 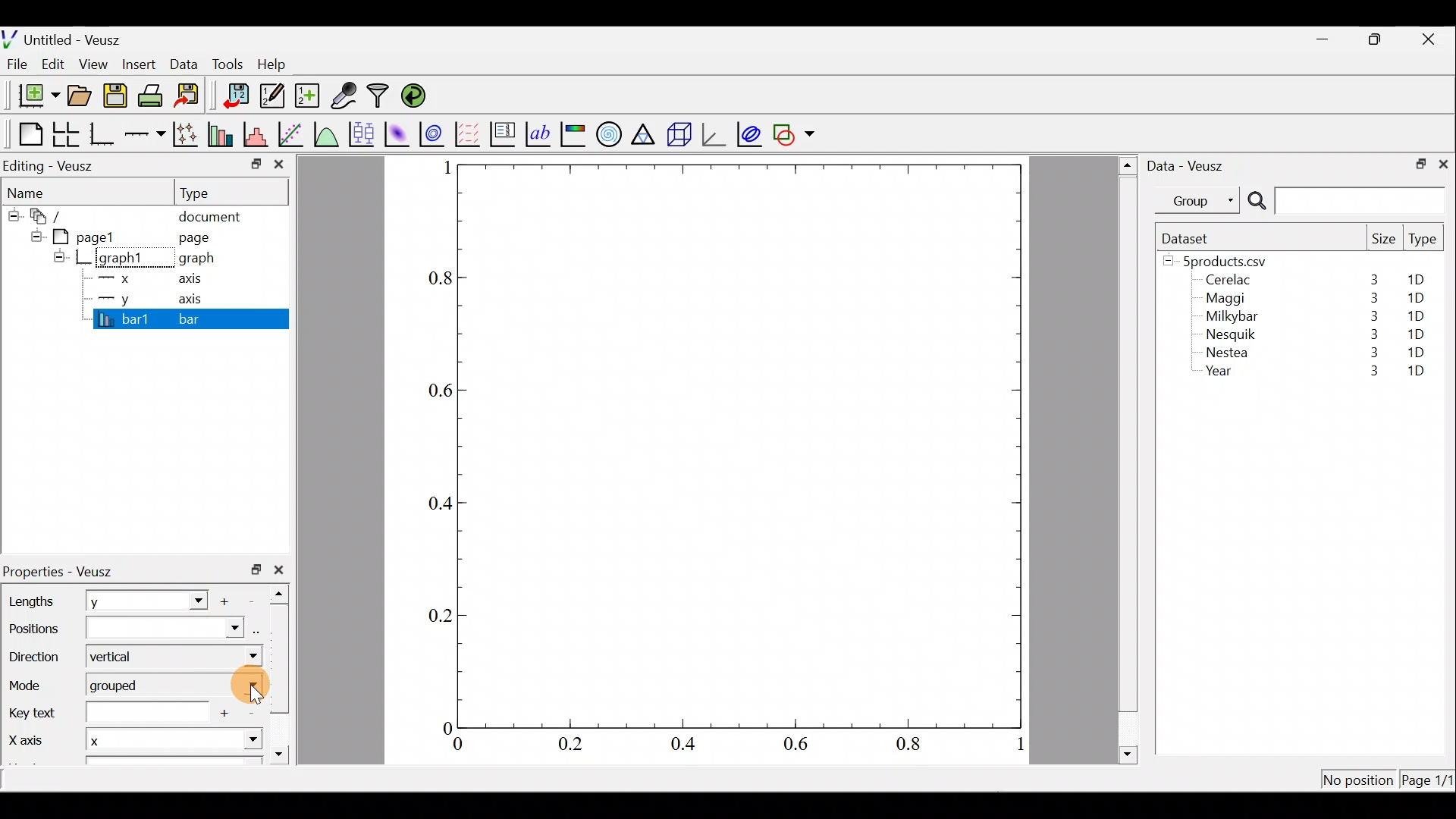 I want to click on y, so click(x=114, y=603).